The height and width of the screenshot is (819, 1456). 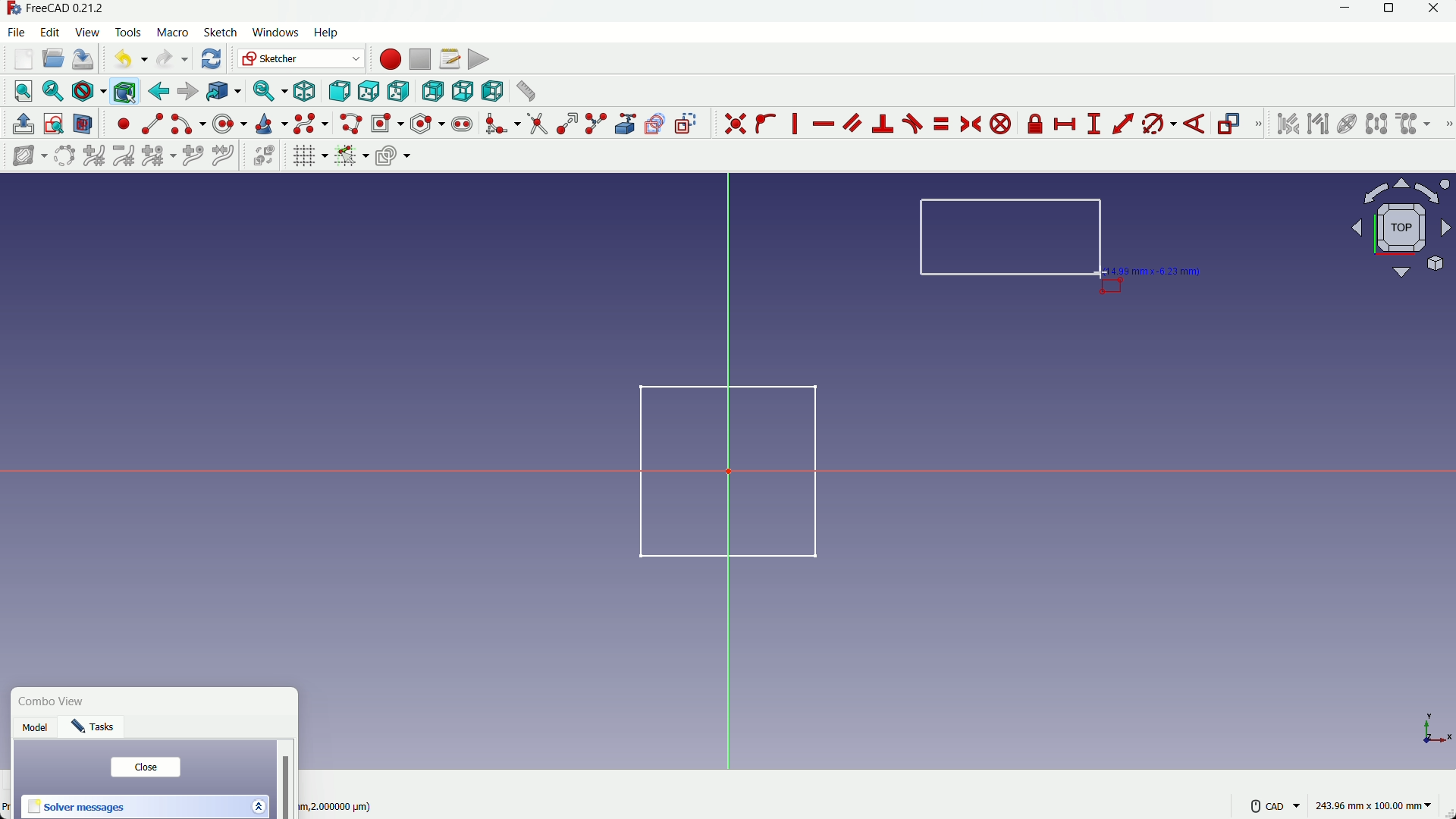 I want to click on constraint parallel, so click(x=852, y=121).